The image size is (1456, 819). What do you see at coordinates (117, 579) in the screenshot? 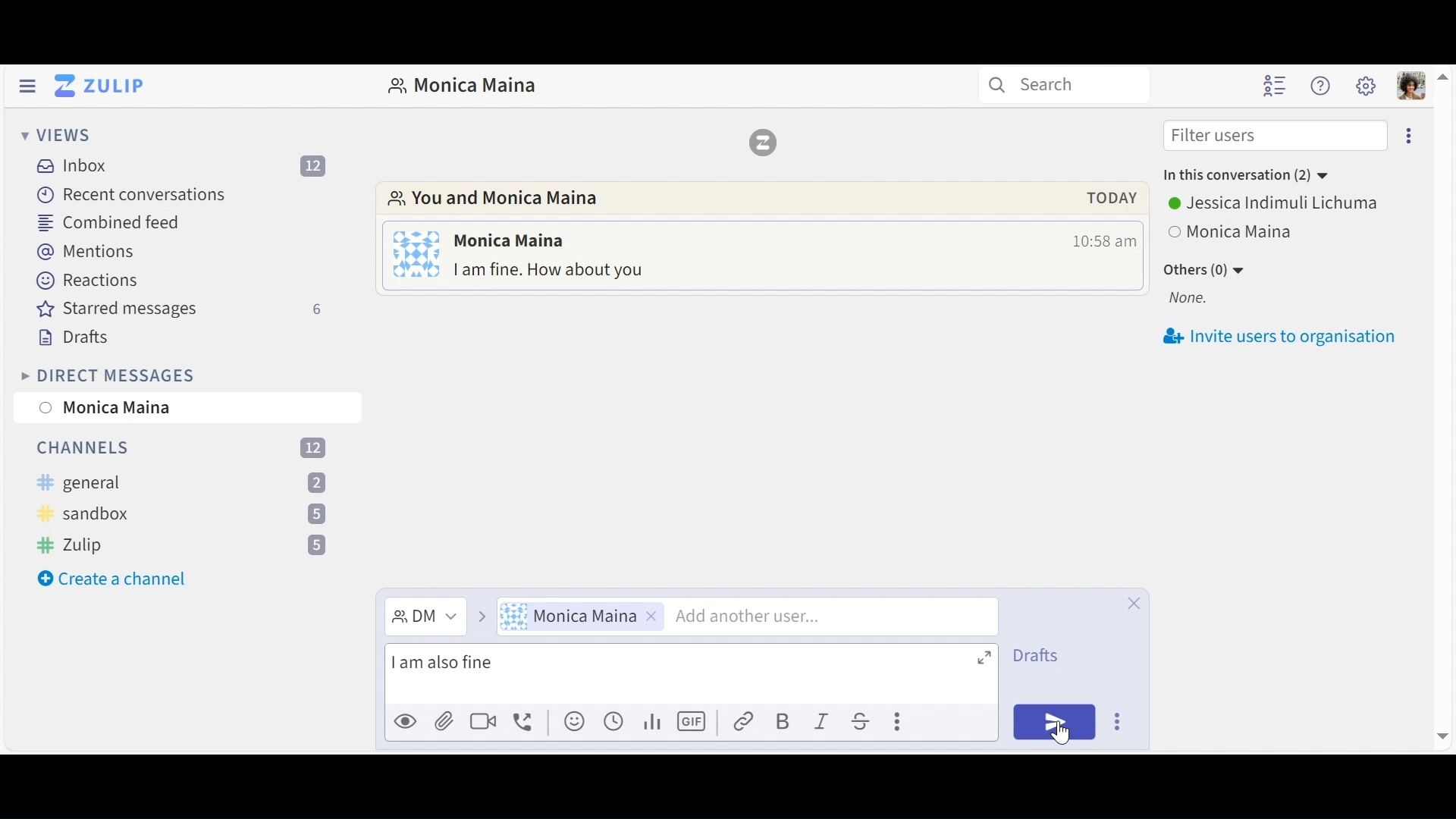
I see `create a channle` at bounding box center [117, 579].